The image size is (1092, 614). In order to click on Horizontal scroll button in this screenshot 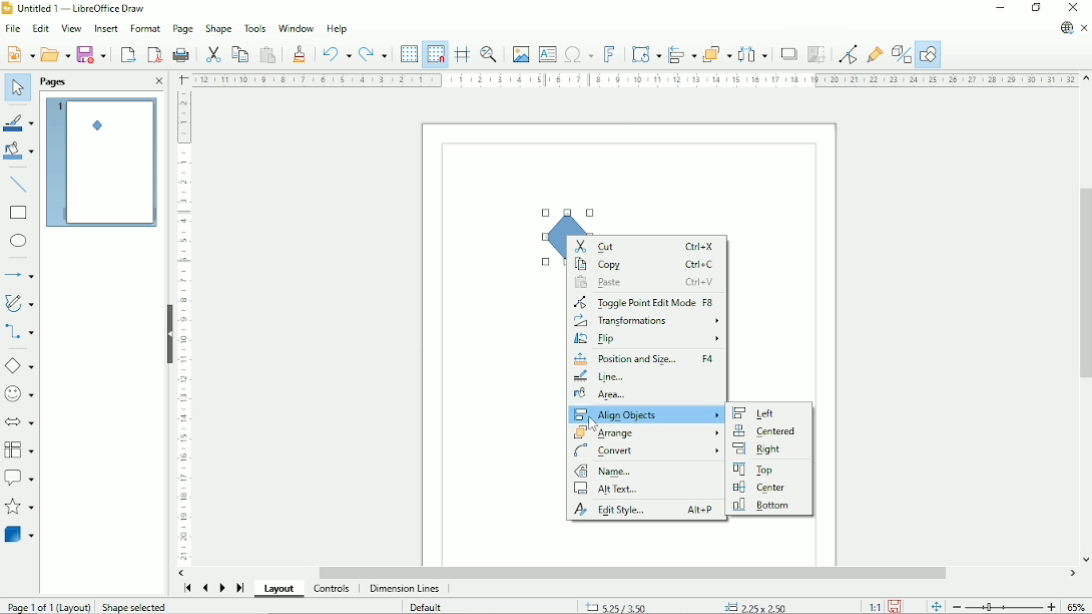, I will do `click(1073, 575)`.